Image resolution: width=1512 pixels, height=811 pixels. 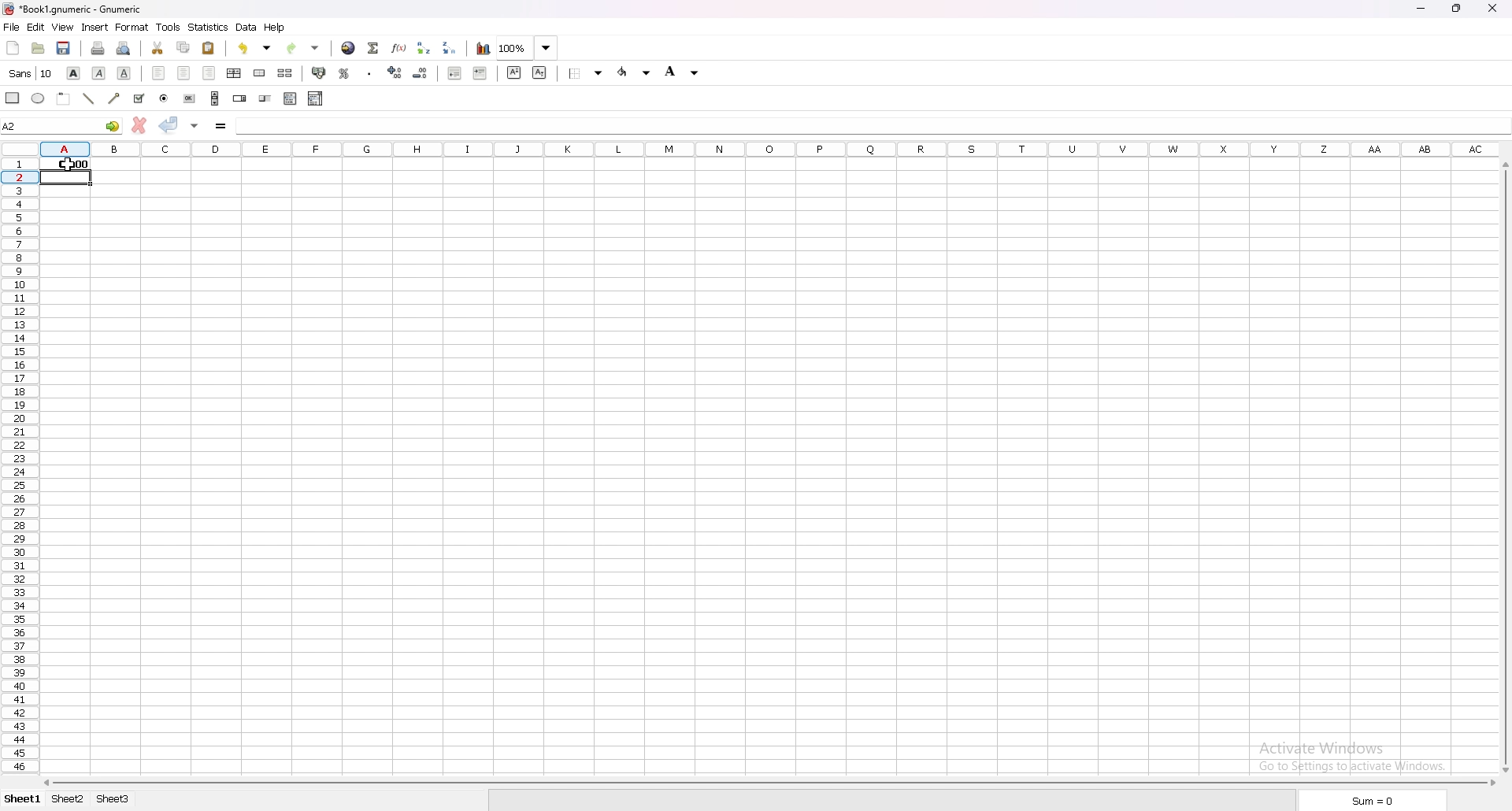 What do you see at coordinates (399, 48) in the screenshot?
I see `functions` at bounding box center [399, 48].